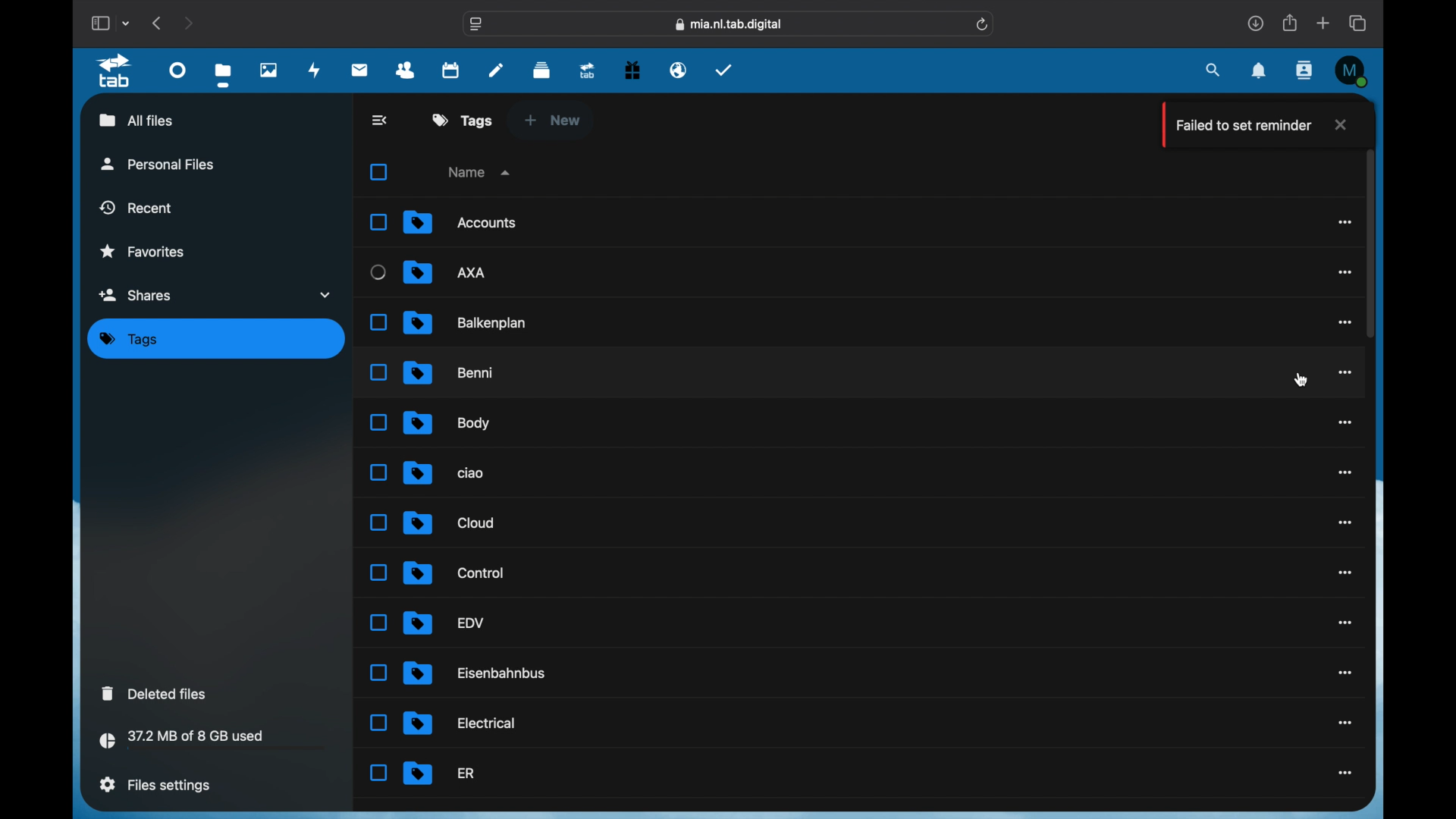  What do you see at coordinates (315, 70) in the screenshot?
I see `activity` at bounding box center [315, 70].